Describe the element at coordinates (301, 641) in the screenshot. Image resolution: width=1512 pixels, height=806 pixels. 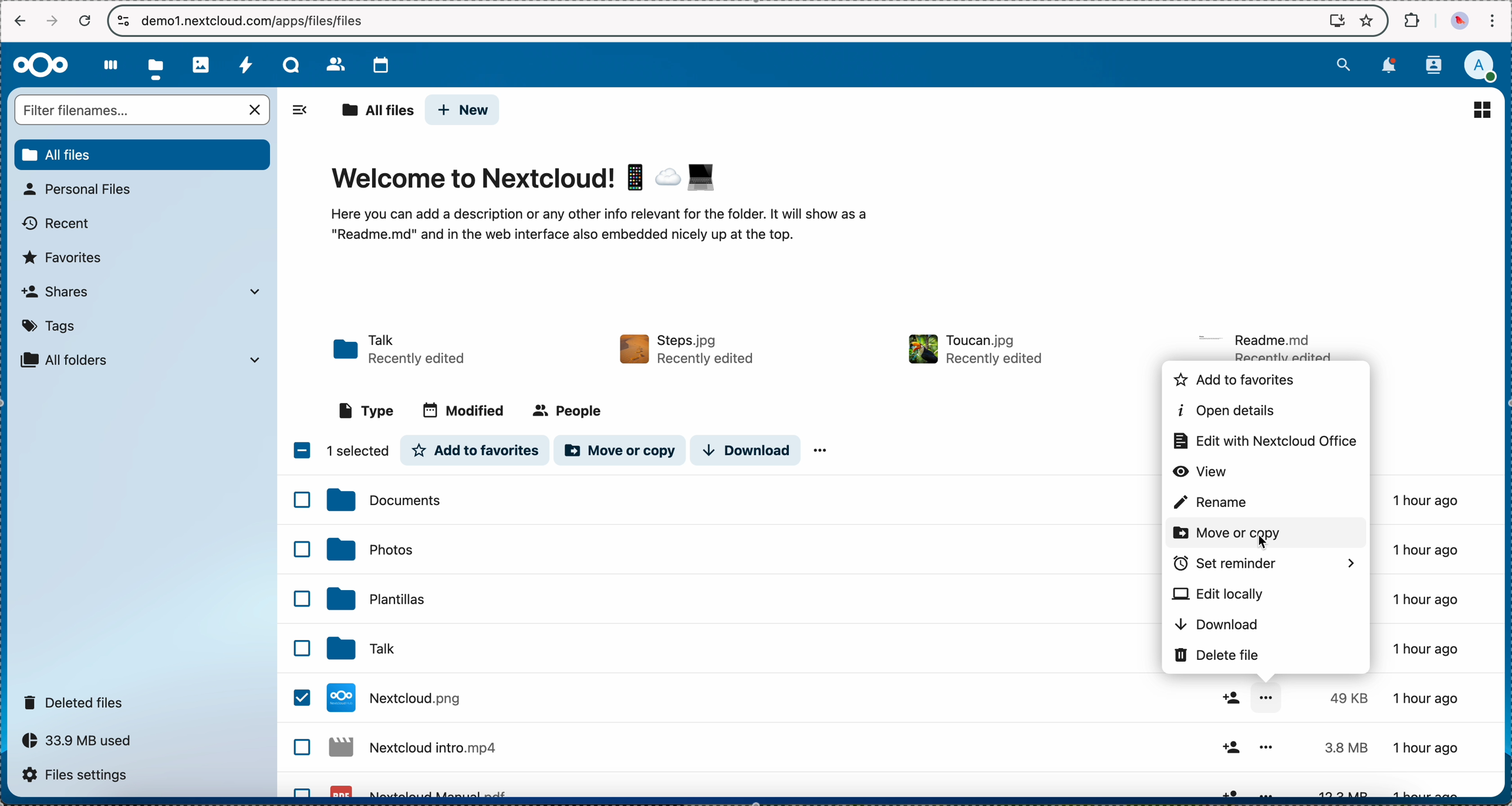
I see `checkbox list` at that location.